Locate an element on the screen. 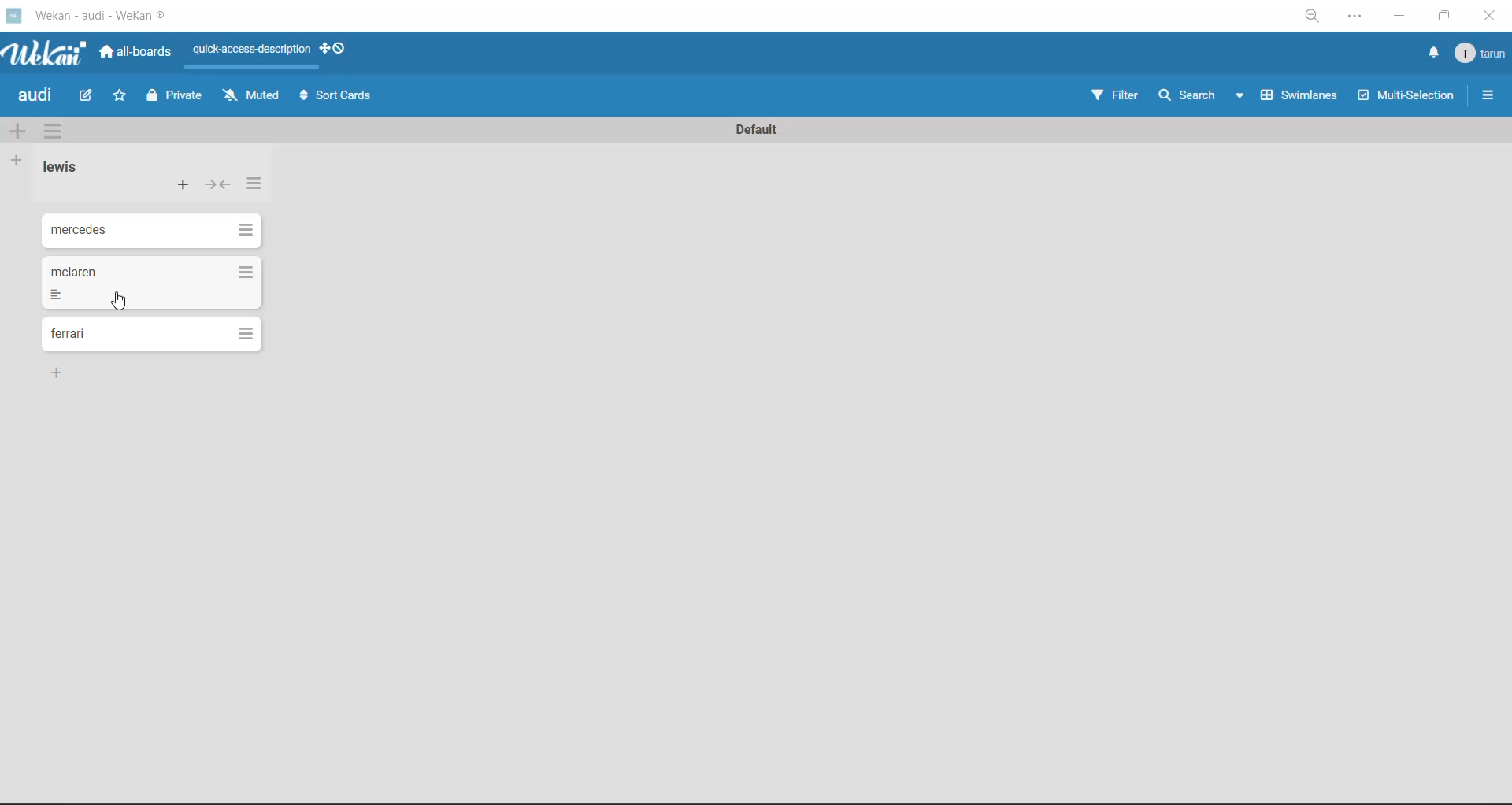 The image size is (1512, 805). cards is located at coordinates (151, 335).